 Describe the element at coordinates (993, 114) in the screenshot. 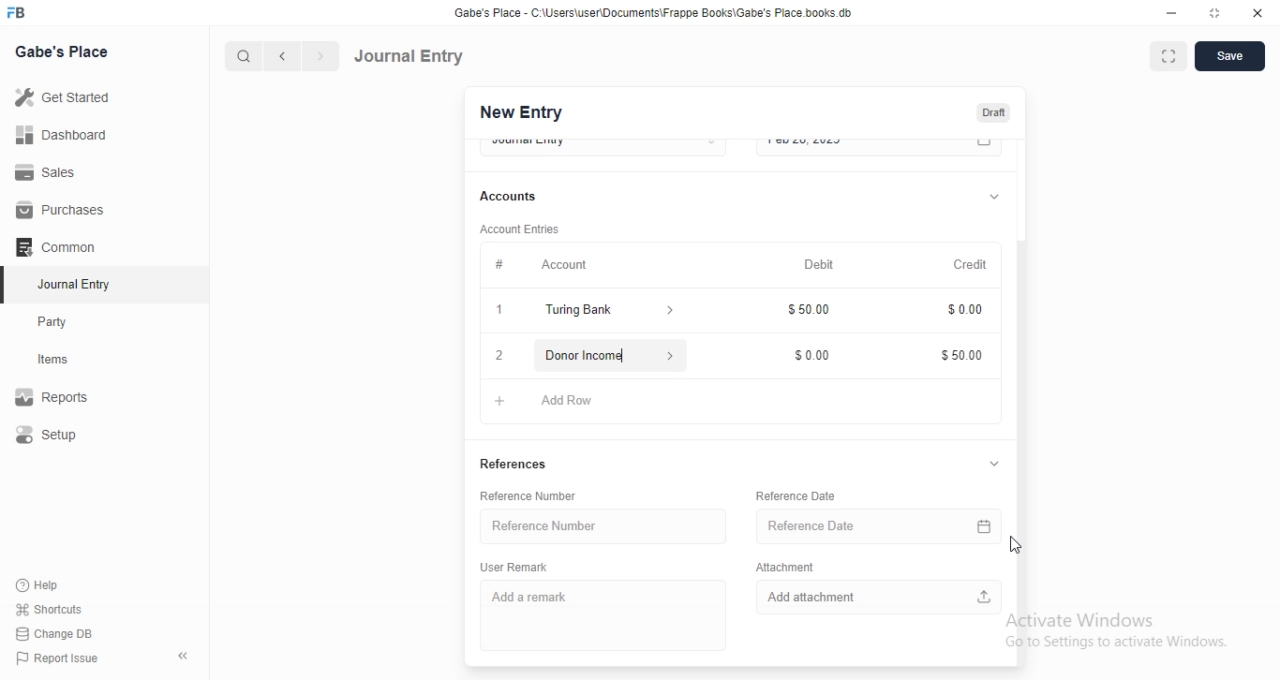

I see `draft` at that location.